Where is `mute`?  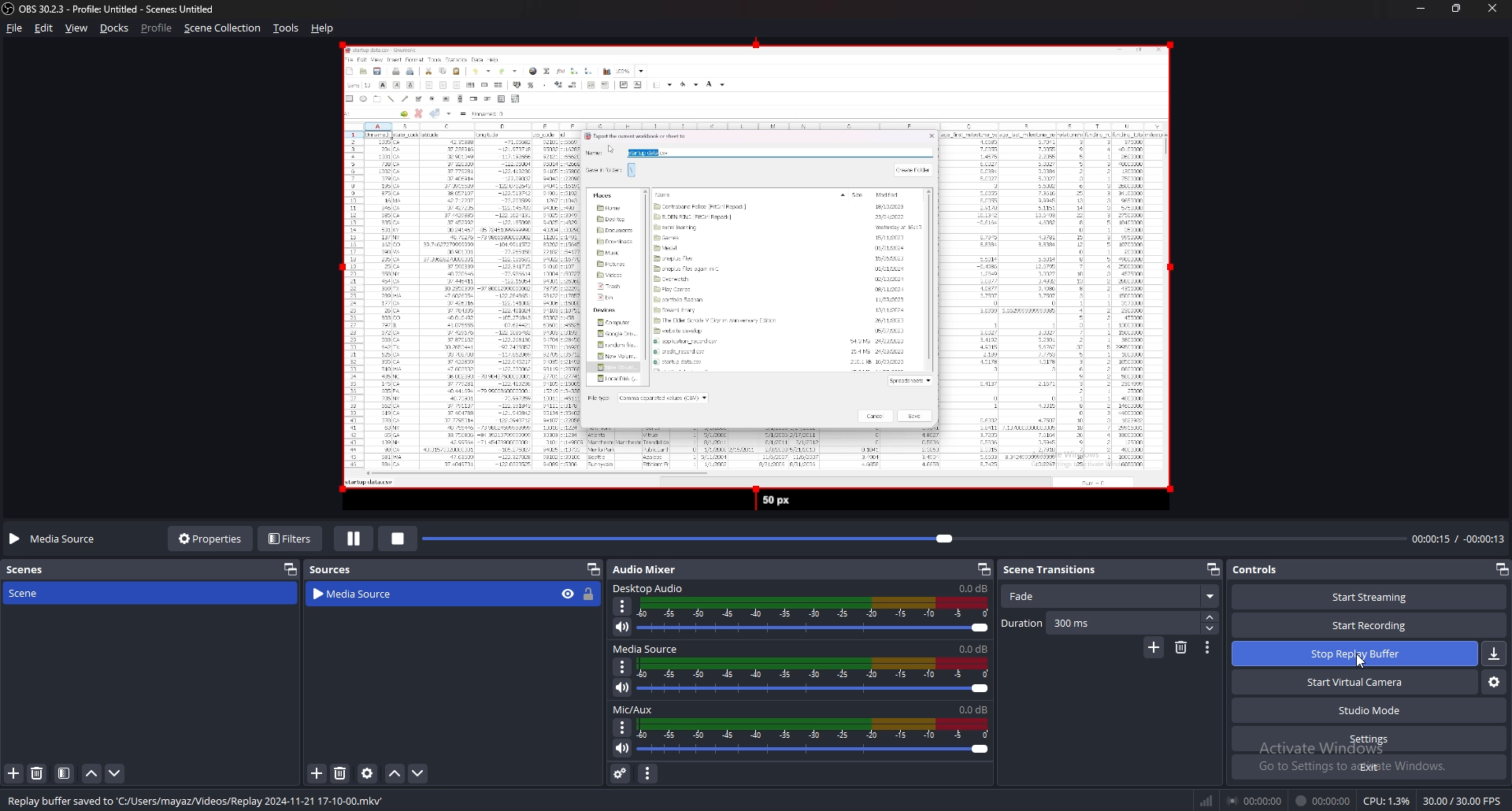
mute is located at coordinates (623, 628).